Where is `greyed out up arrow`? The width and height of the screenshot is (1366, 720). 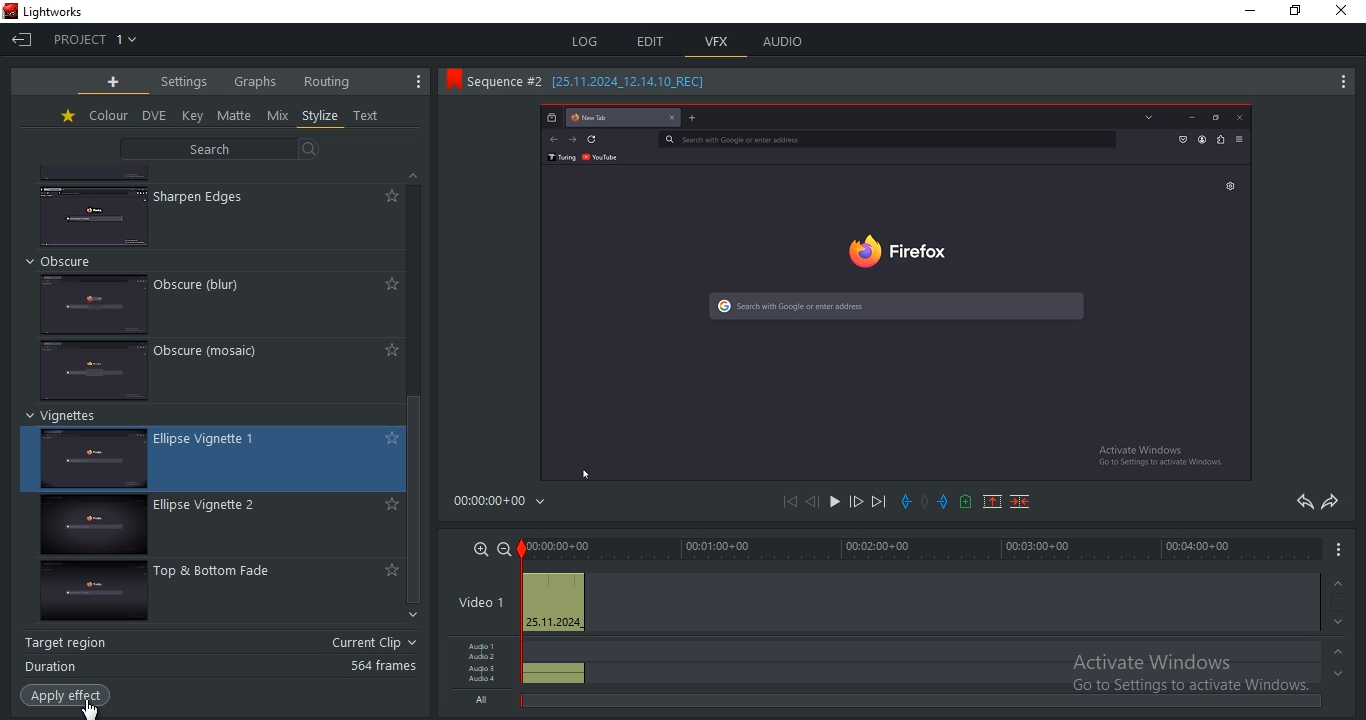
greyed out up arrow is located at coordinates (1340, 582).